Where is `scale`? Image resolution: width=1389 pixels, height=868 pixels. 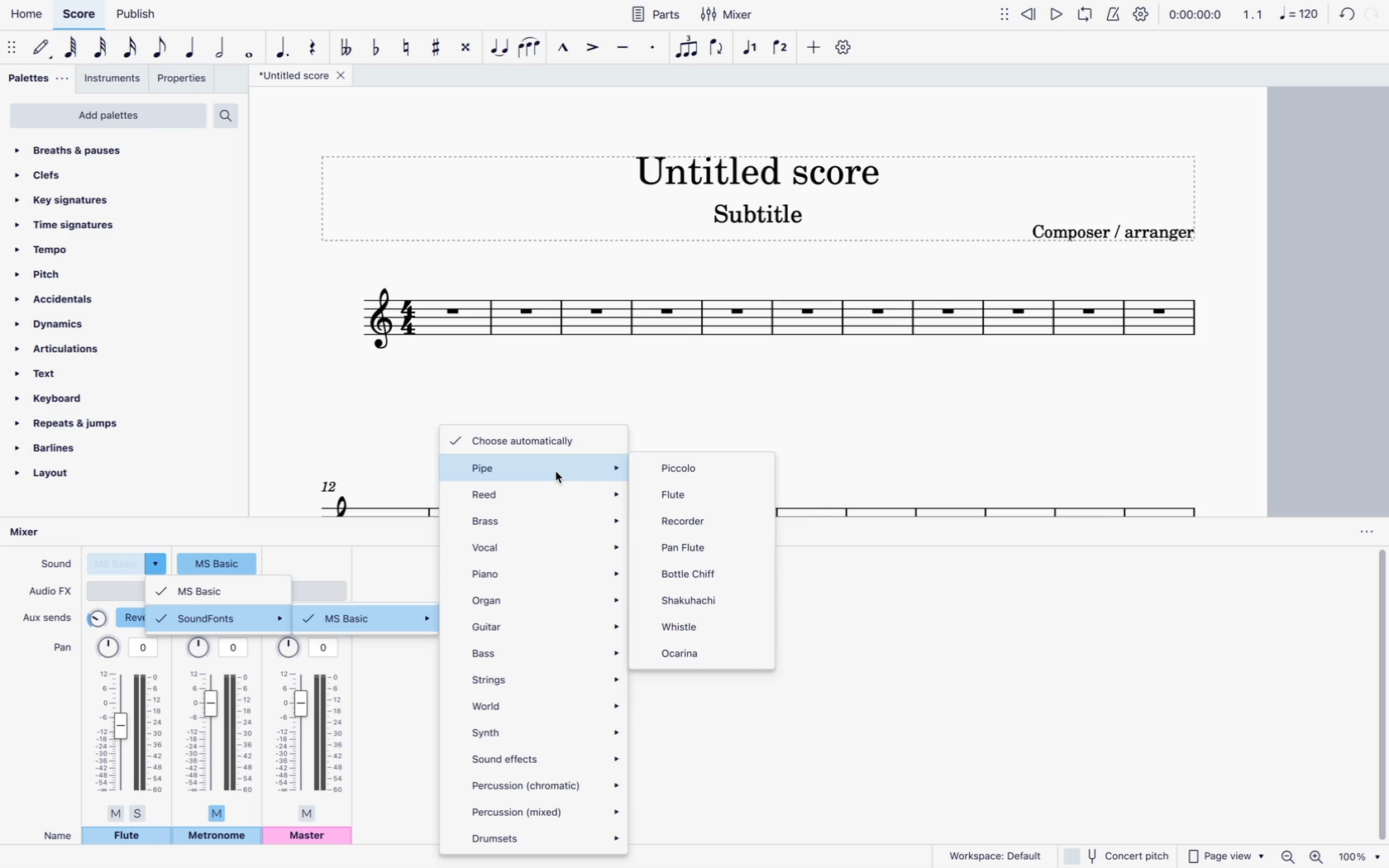 scale is located at coordinates (371, 495).